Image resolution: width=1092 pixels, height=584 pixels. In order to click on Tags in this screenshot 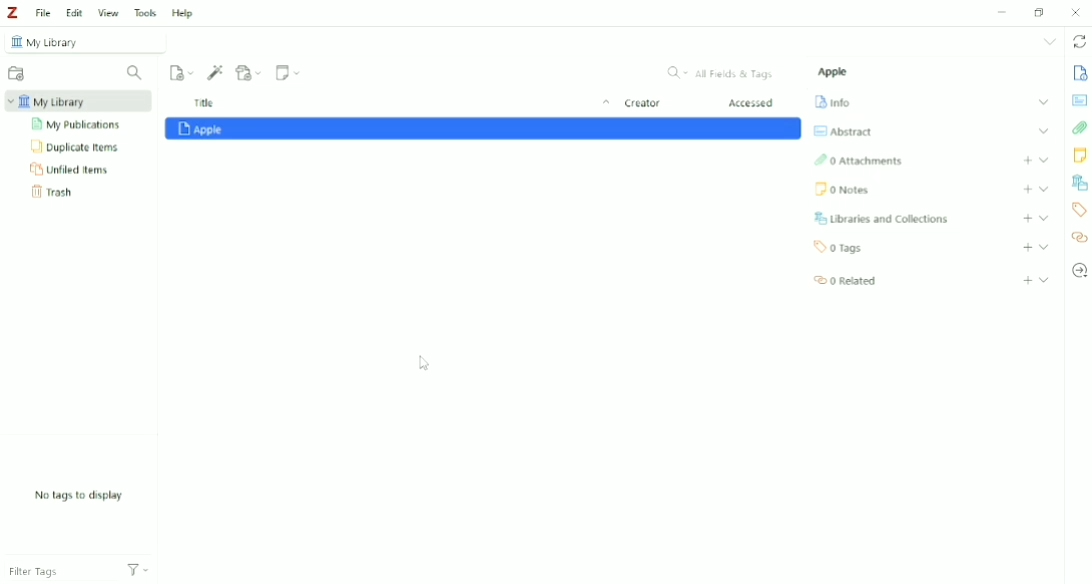, I will do `click(1080, 210)`.